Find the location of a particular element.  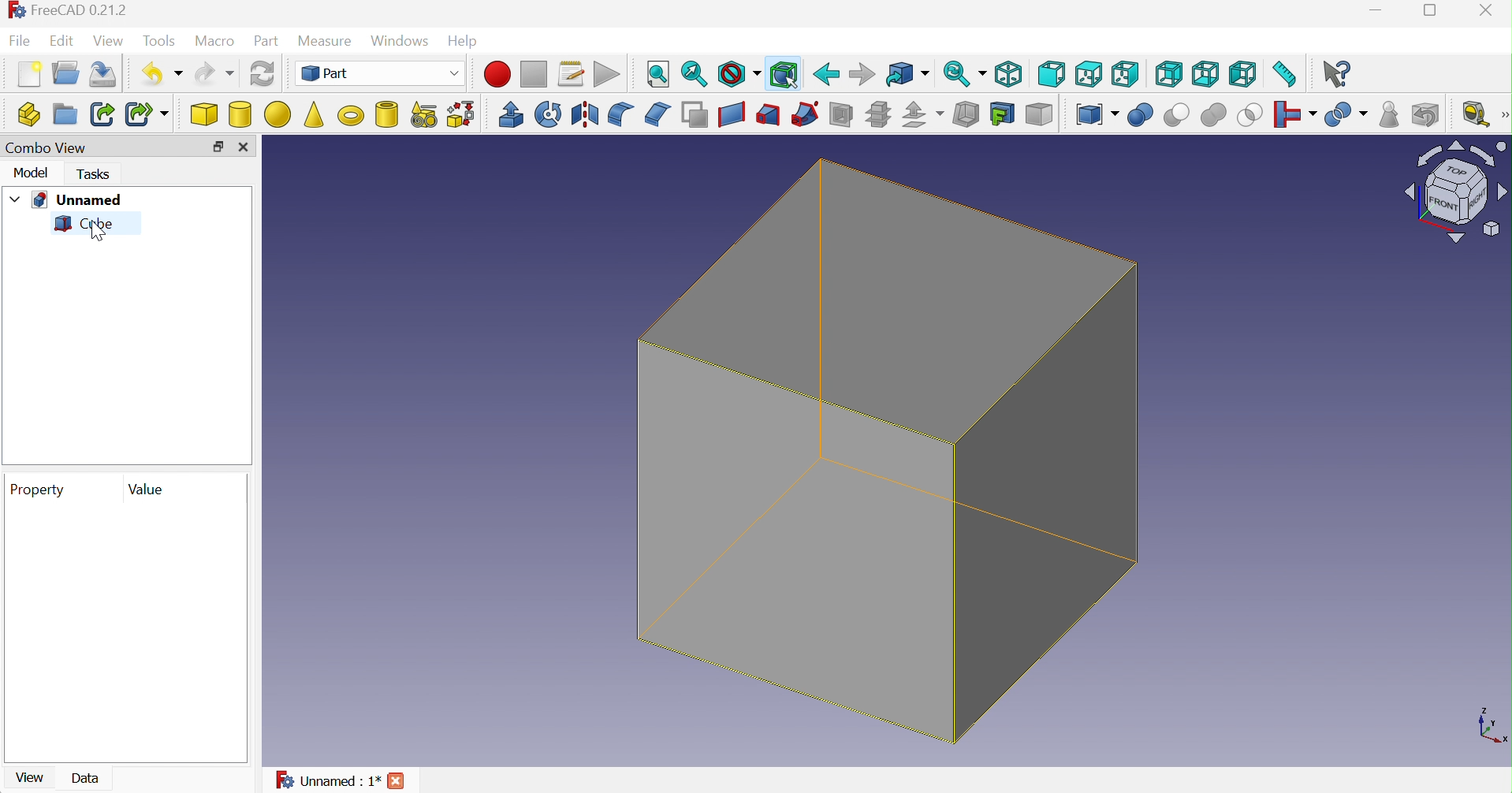

Close is located at coordinates (400, 782).